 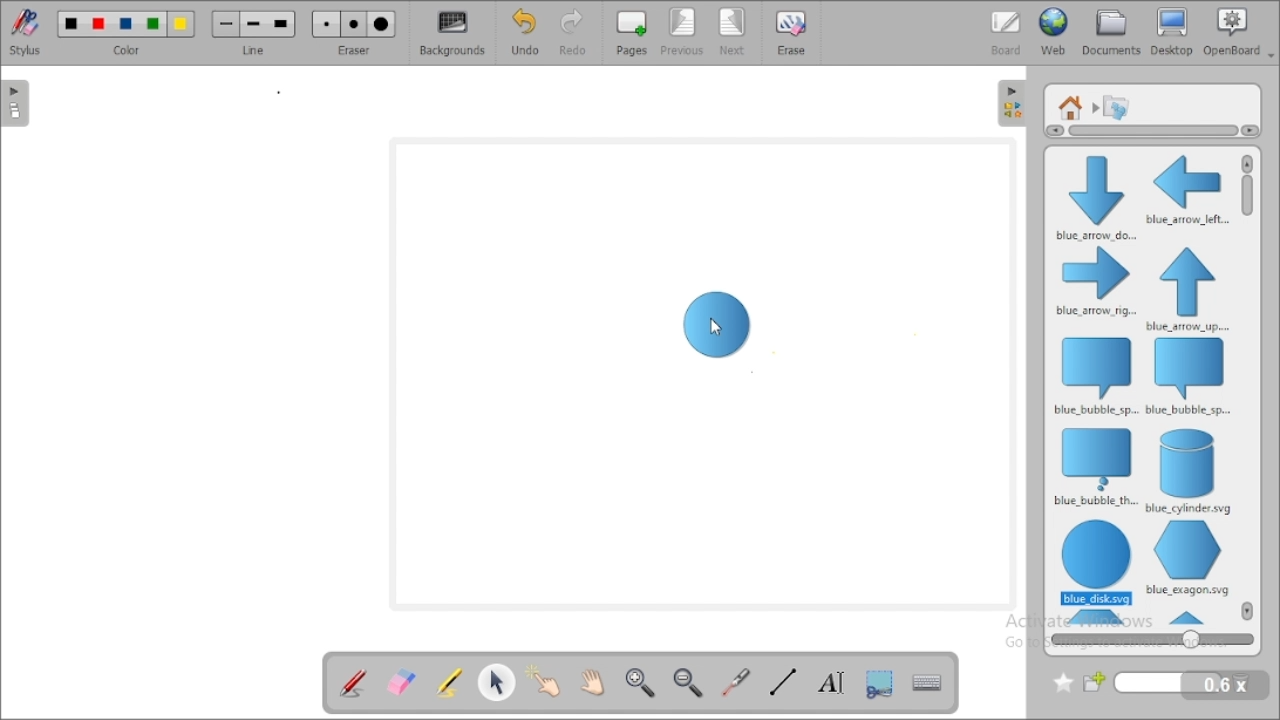 What do you see at coordinates (1094, 375) in the screenshot?
I see `blue bubble speak` at bounding box center [1094, 375].